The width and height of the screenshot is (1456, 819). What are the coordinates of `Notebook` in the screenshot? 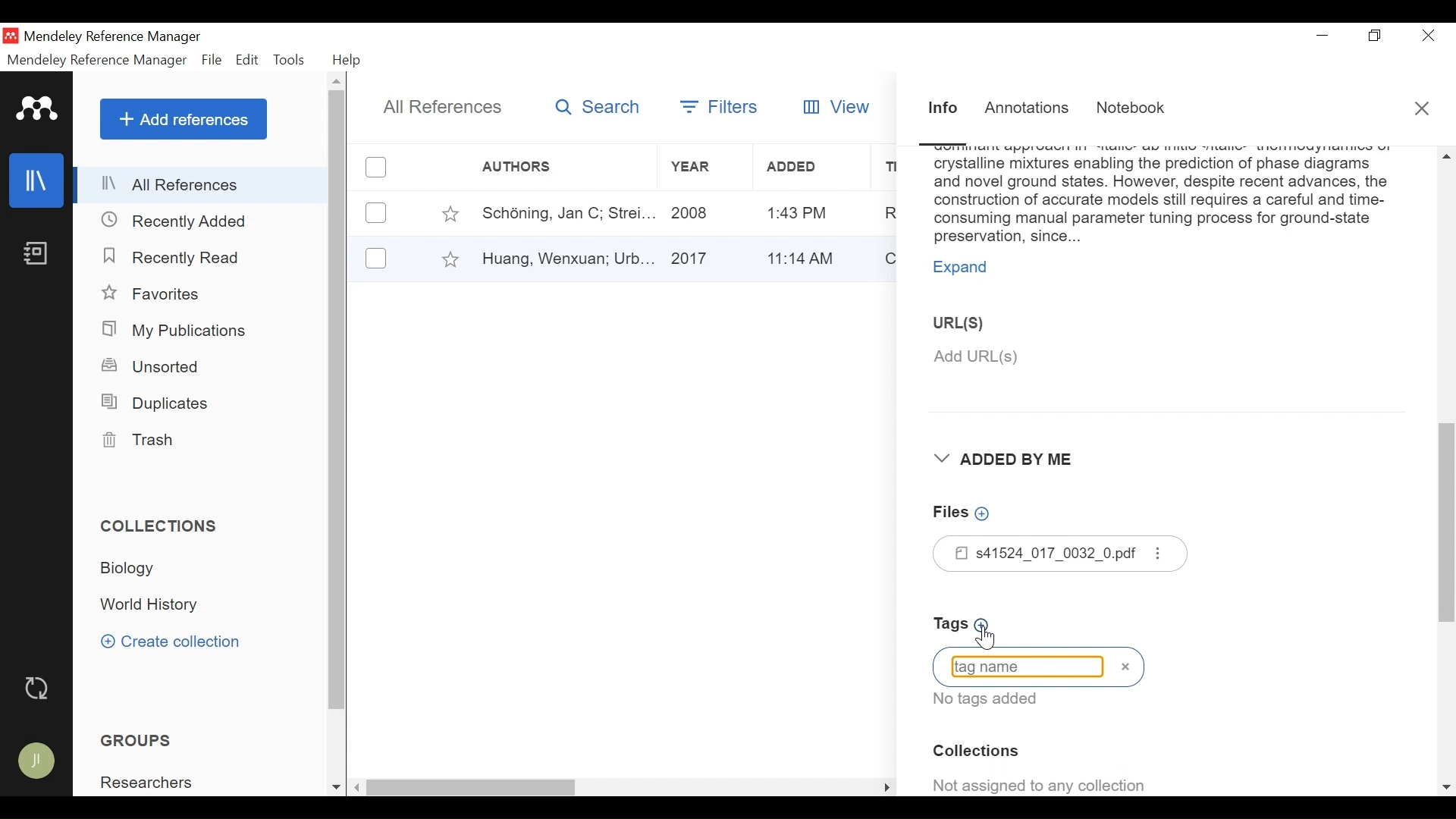 It's located at (1134, 108).